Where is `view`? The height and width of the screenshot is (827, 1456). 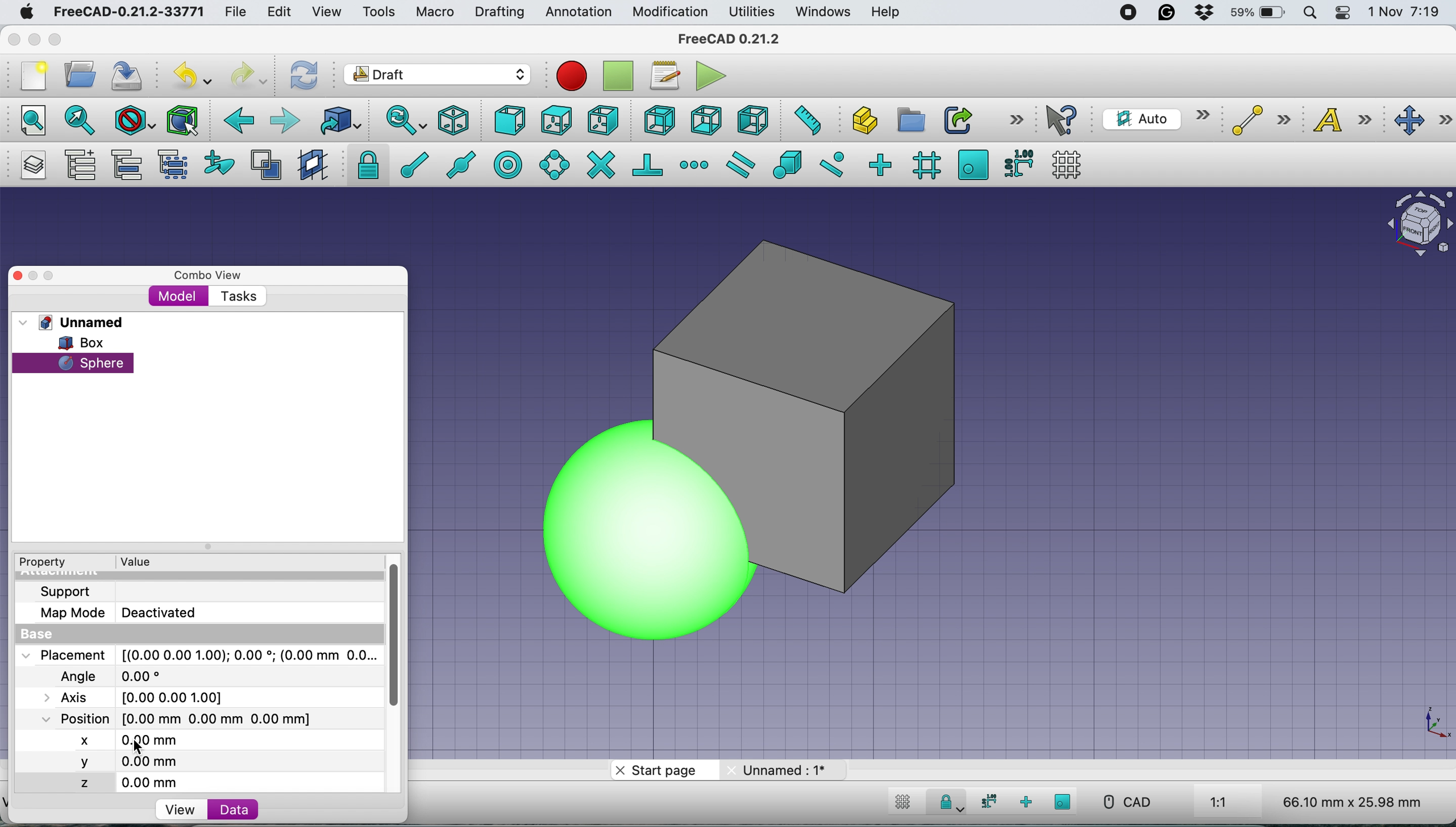 view is located at coordinates (331, 12).